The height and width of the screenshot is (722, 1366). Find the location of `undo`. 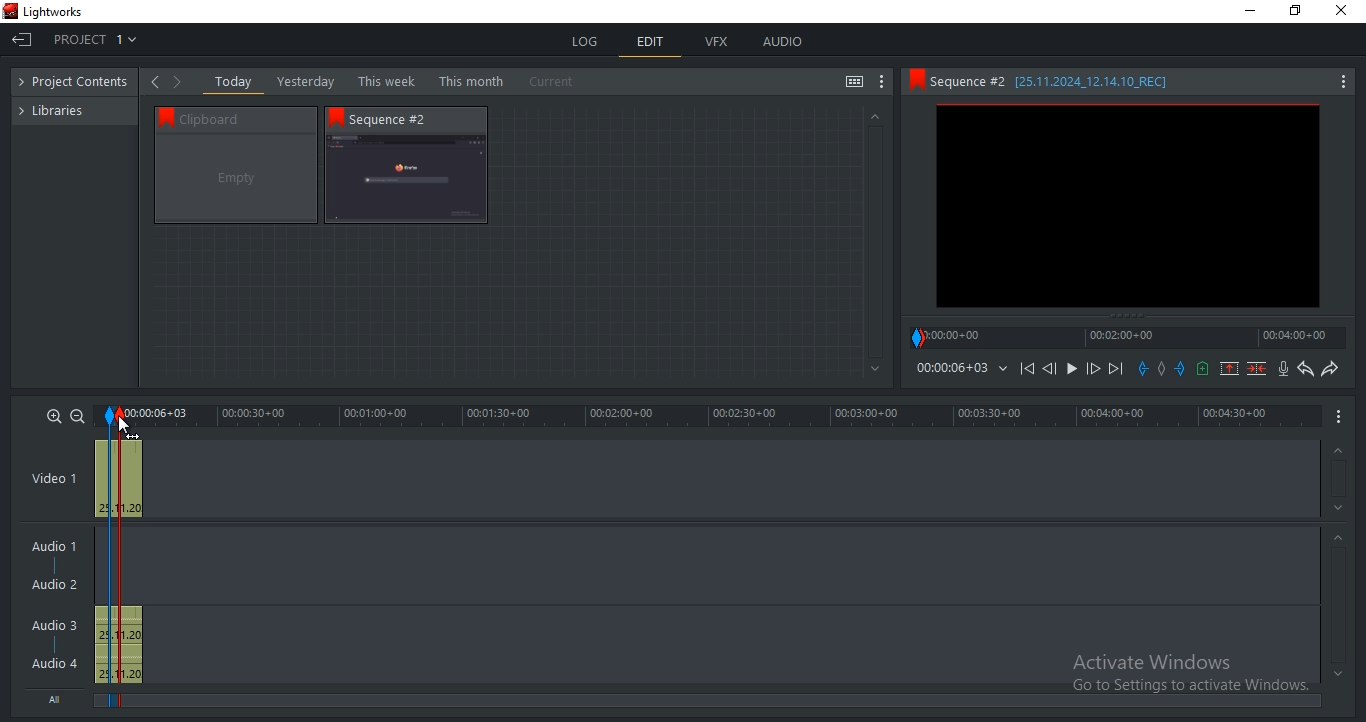

undo is located at coordinates (1306, 369).